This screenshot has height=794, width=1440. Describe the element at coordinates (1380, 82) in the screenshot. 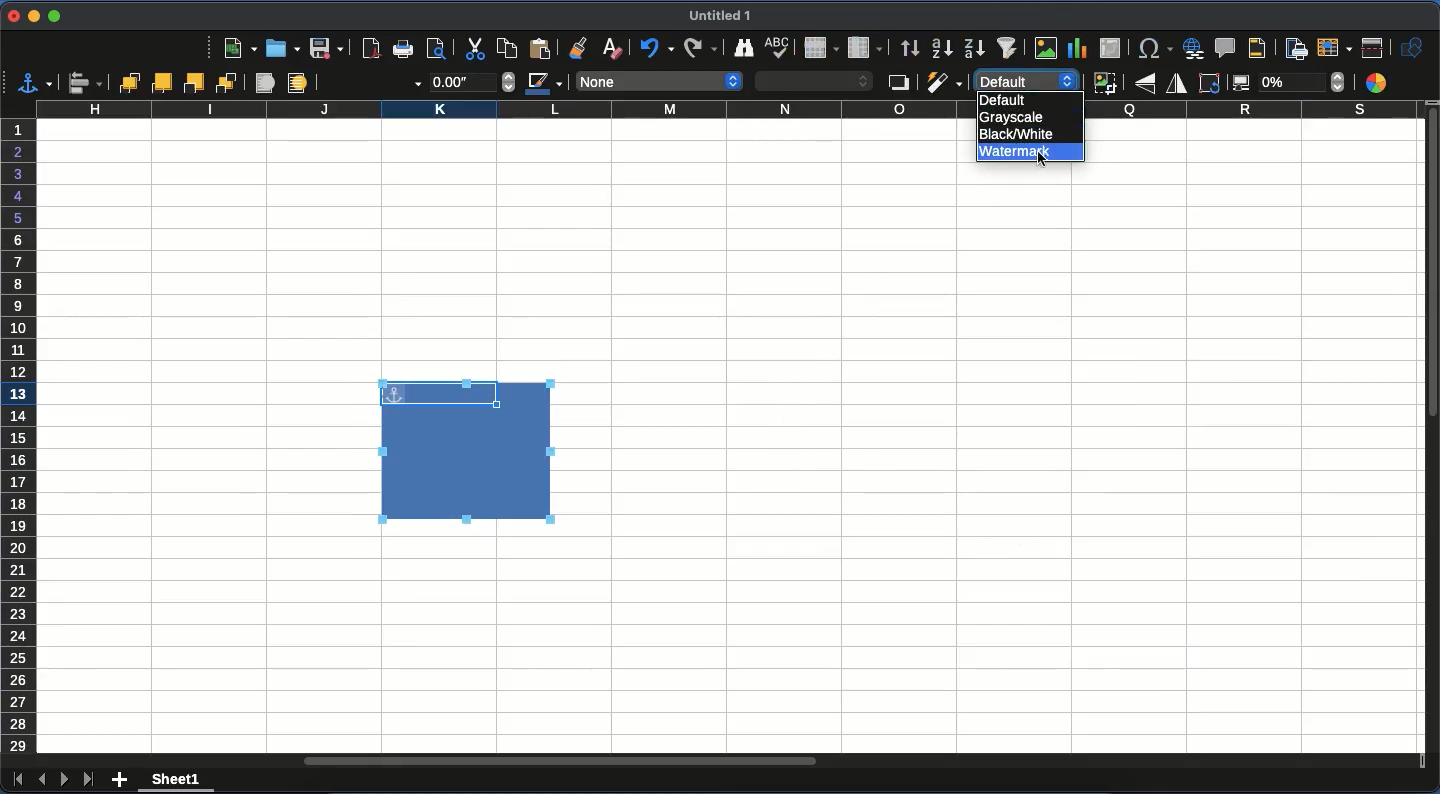

I see `color` at that location.